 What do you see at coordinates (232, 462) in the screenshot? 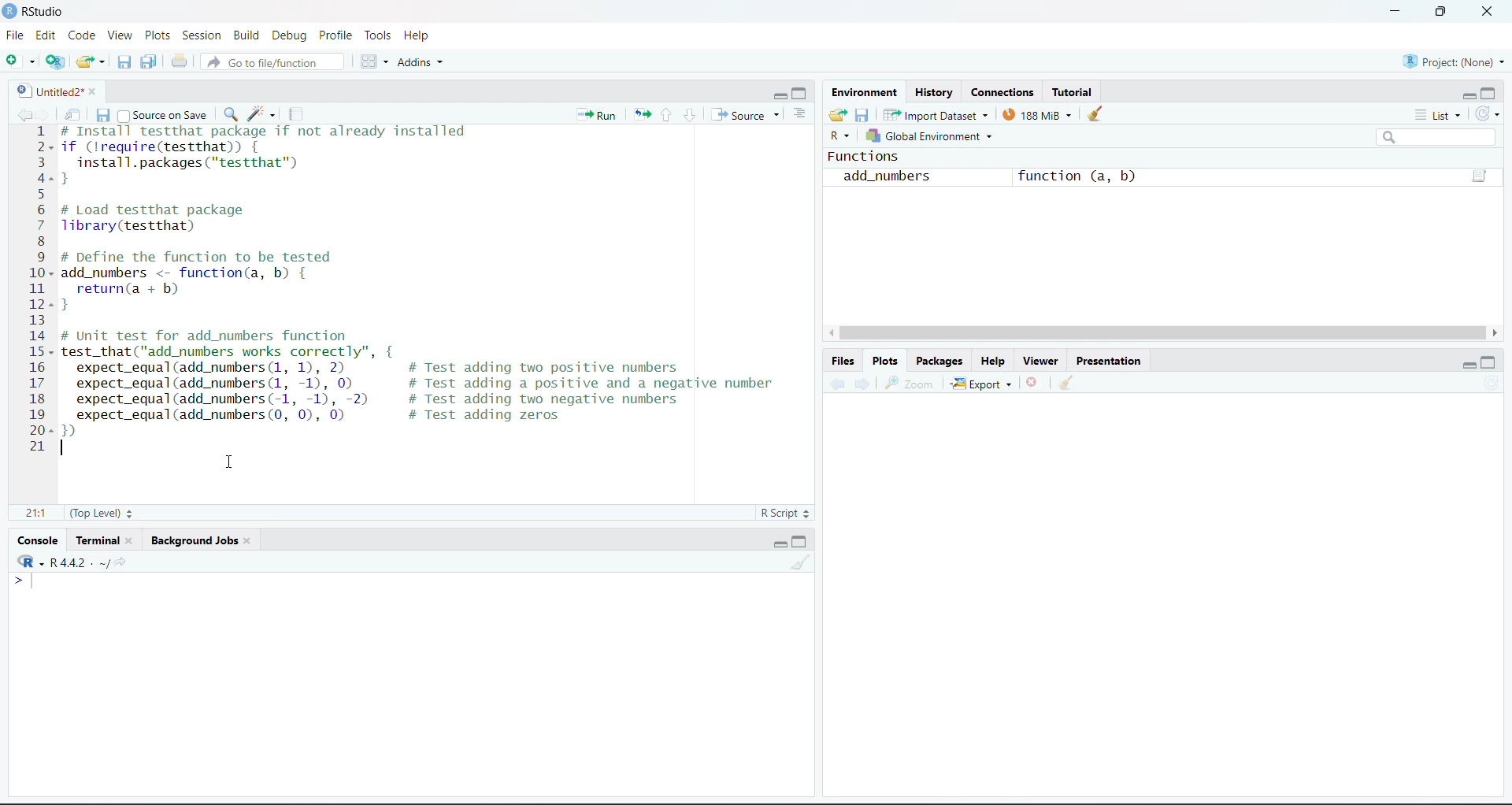
I see `cursor` at bounding box center [232, 462].